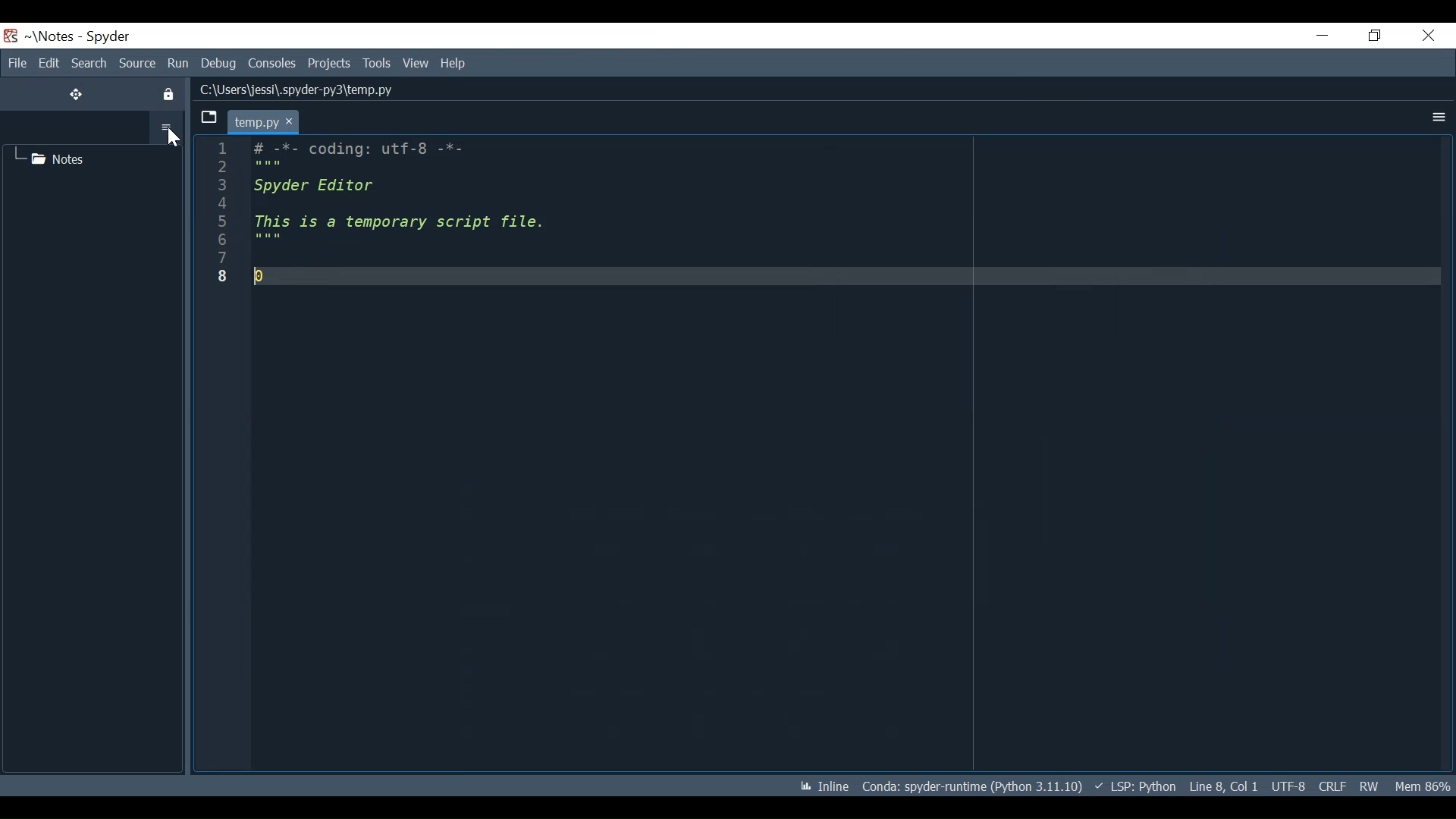 This screenshot has height=819, width=1456. I want to click on Run, so click(178, 64).